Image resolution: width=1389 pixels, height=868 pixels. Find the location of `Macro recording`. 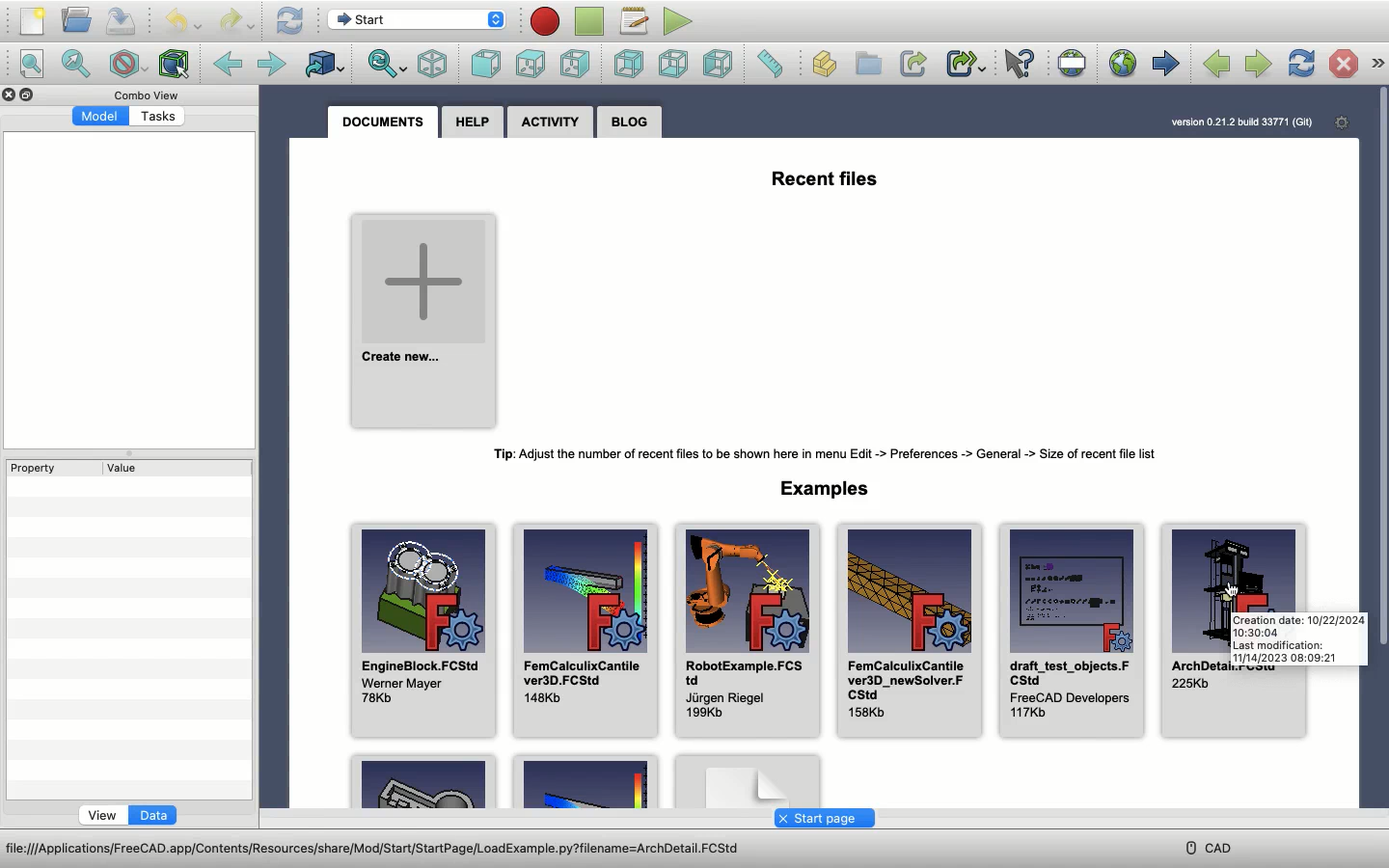

Macro recording is located at coordinates (544, 21).